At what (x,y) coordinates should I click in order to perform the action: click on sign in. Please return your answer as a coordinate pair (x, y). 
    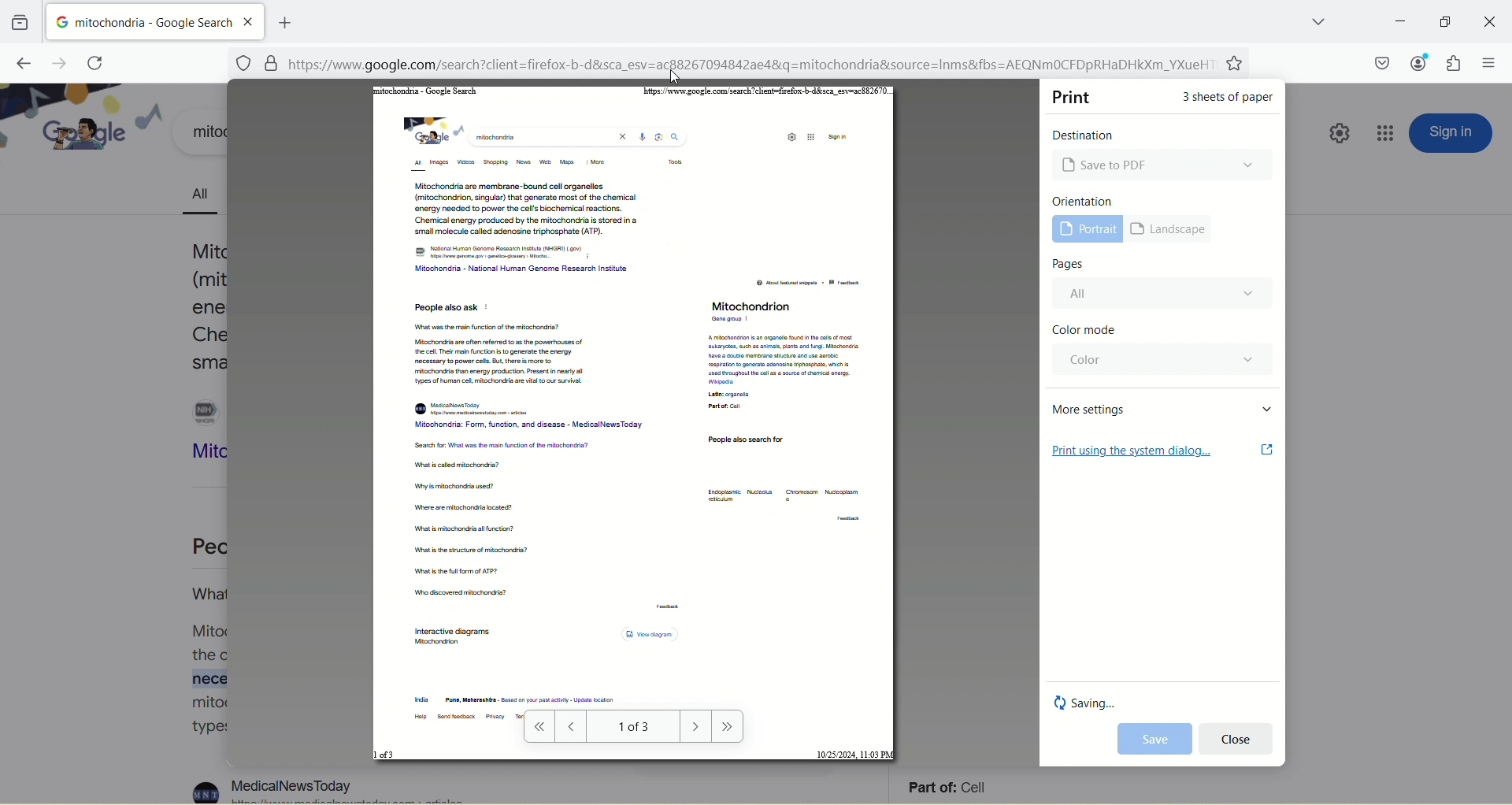
    Looking at the image, I should click on (1452, 133).